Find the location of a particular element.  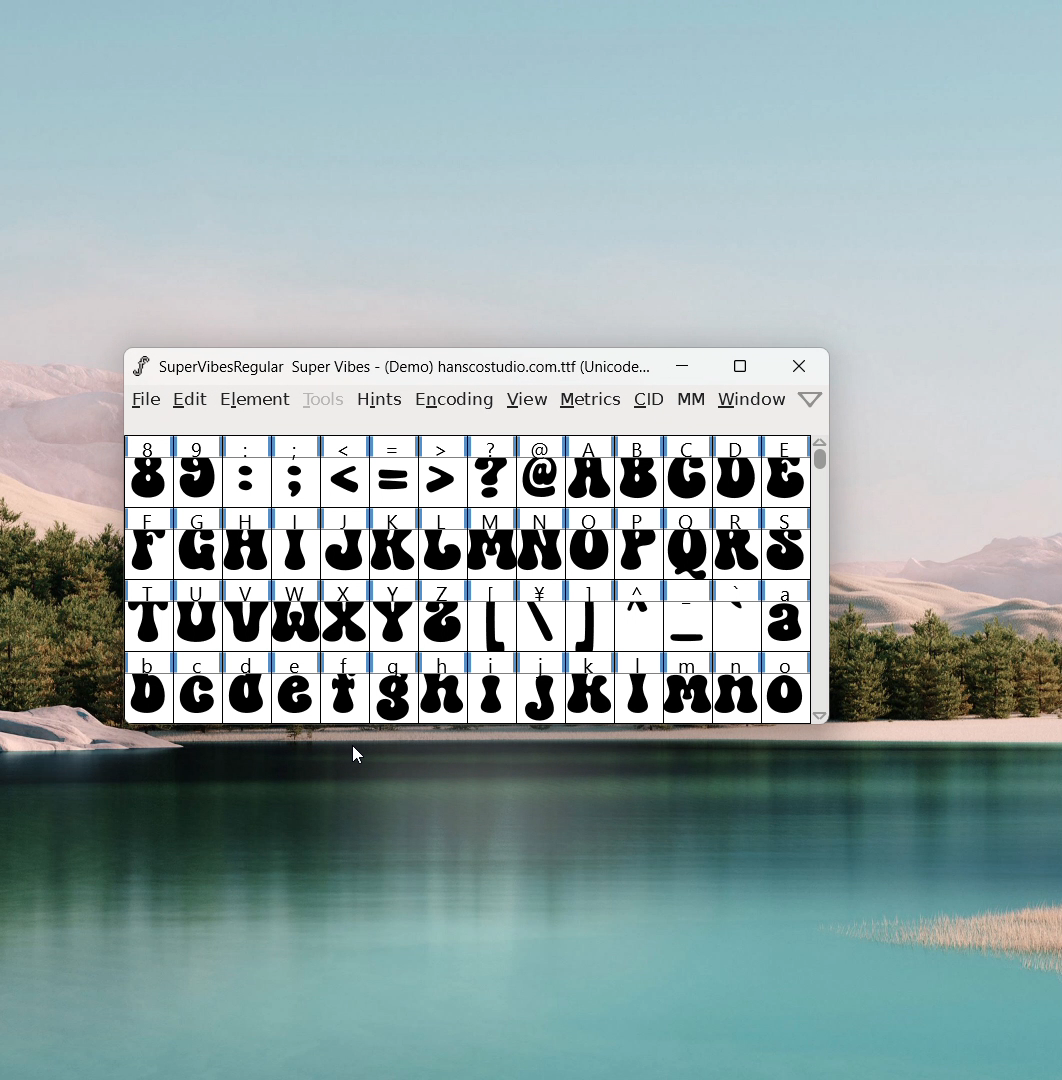

U is located at coordinates (198, 617).